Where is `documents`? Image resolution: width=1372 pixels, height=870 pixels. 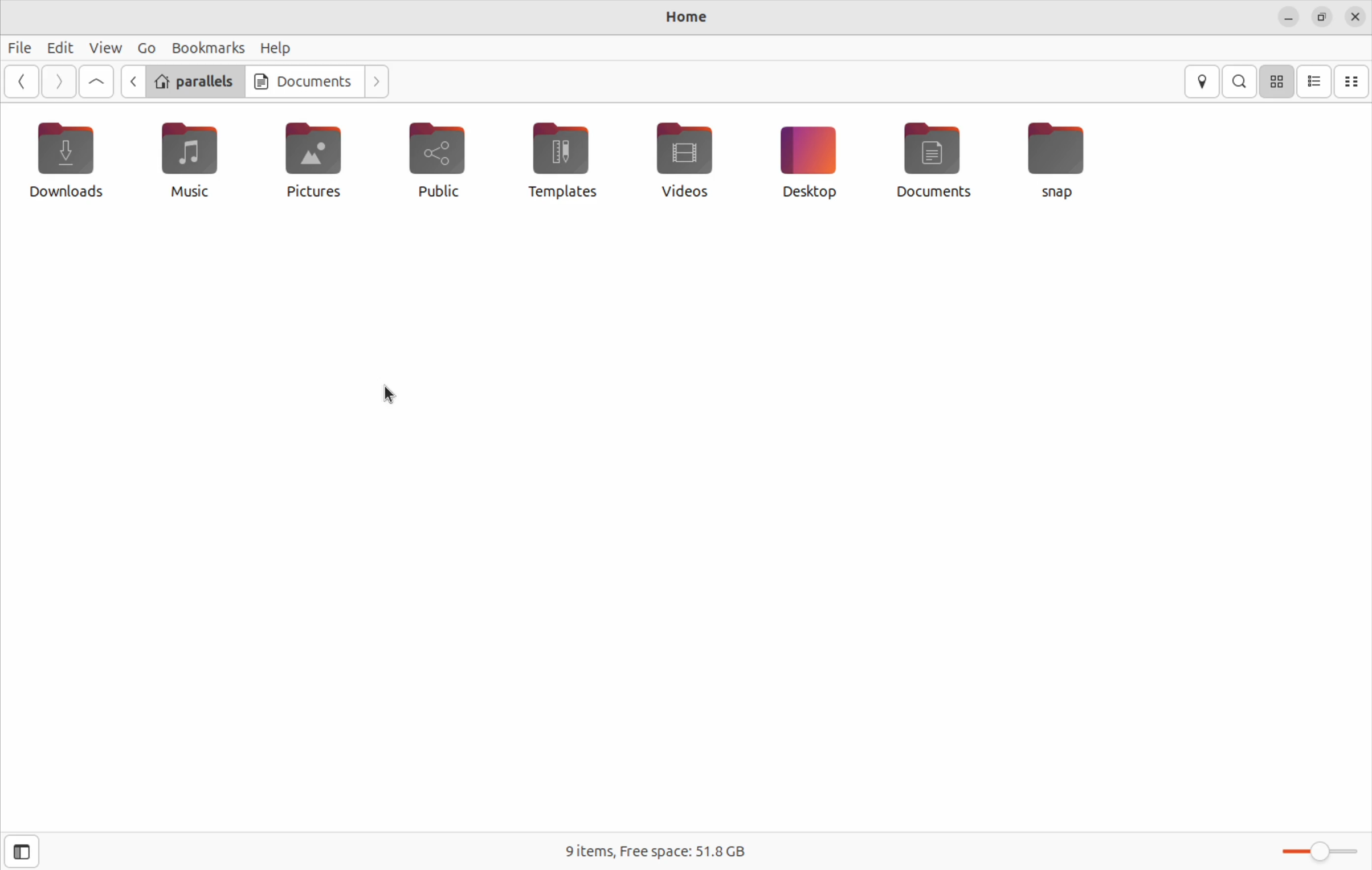
documents is located at coordinates (307, 81).